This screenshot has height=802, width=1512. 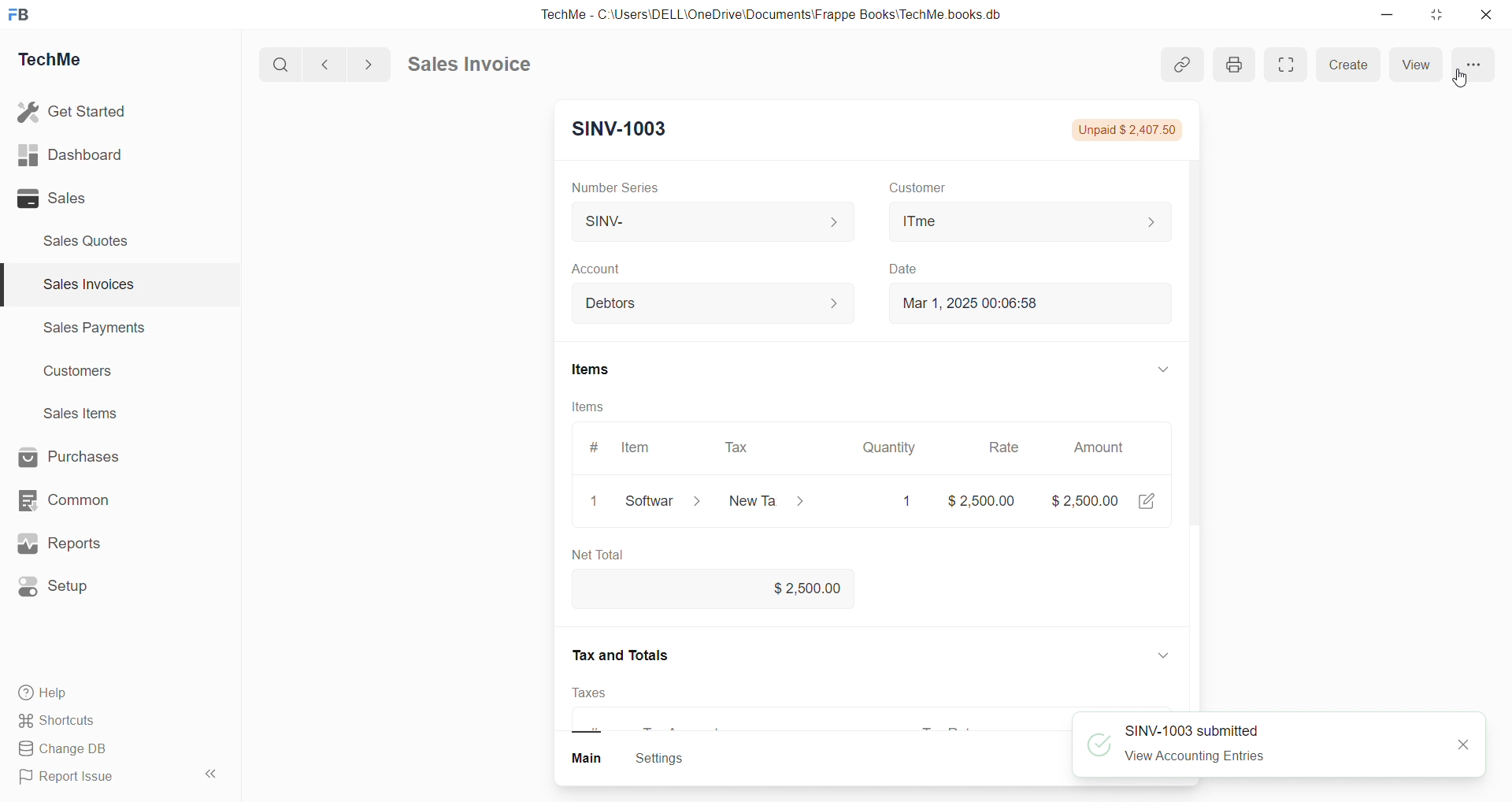 I want to click on Tax and Totals, so click(x=623, y=655).